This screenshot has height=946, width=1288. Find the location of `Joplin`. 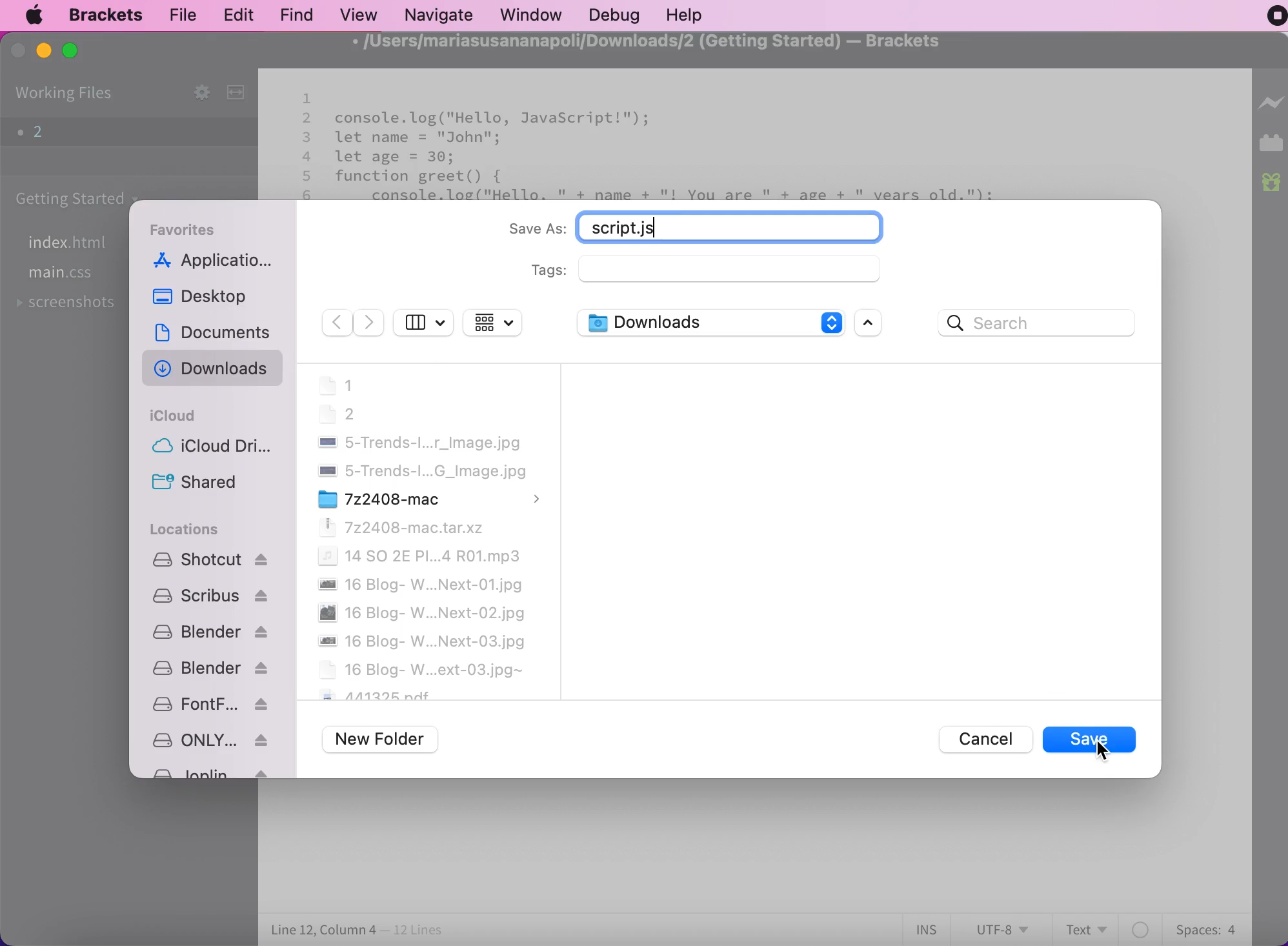

Joplin is located at coordinates (208, 773).